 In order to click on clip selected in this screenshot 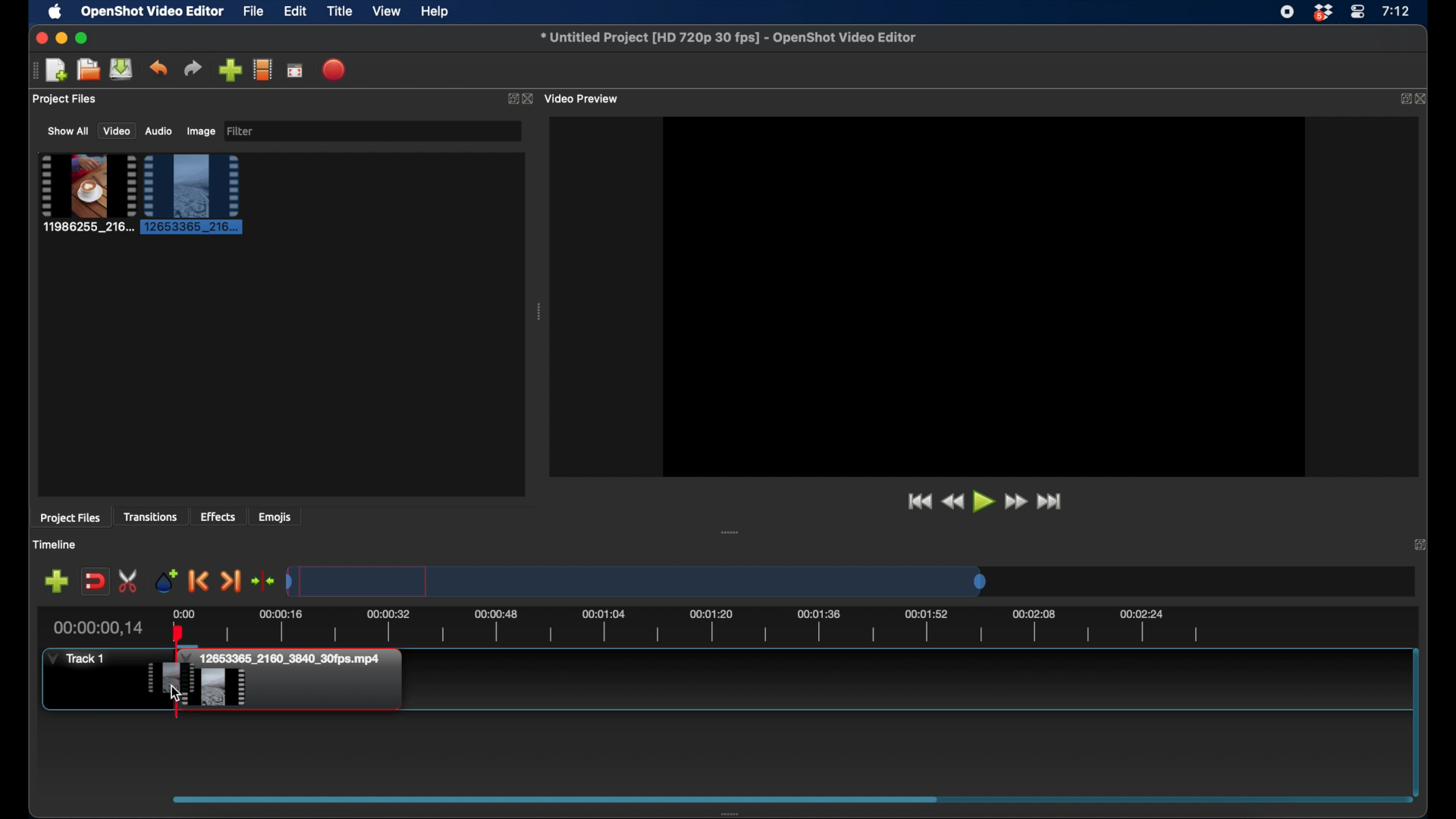, I will do `click(192, 194)`.